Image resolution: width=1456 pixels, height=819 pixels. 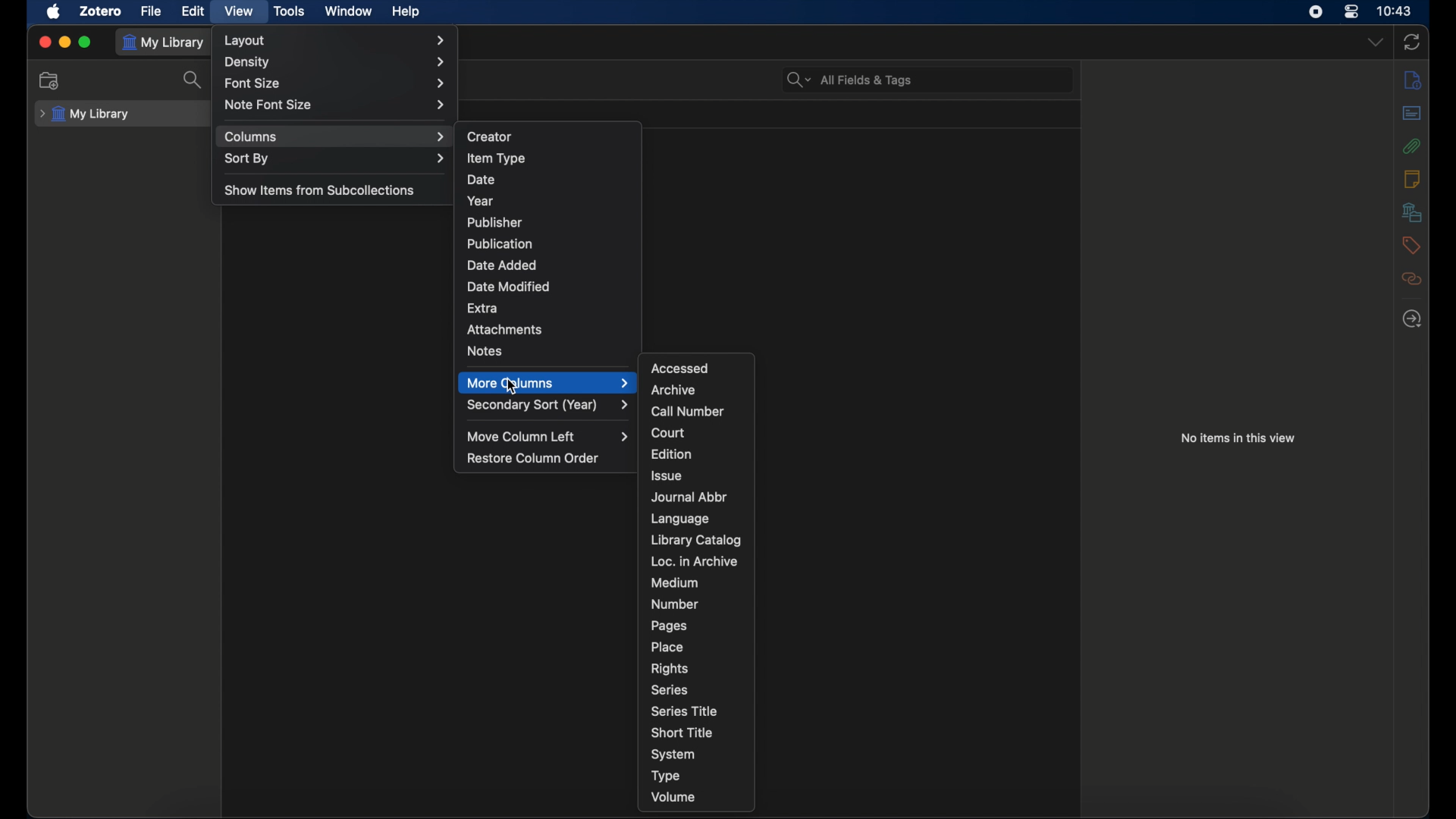 What do you see at coordinates (238, 11) in the screenshot?
I see `view` at bounding box center [238, 11].